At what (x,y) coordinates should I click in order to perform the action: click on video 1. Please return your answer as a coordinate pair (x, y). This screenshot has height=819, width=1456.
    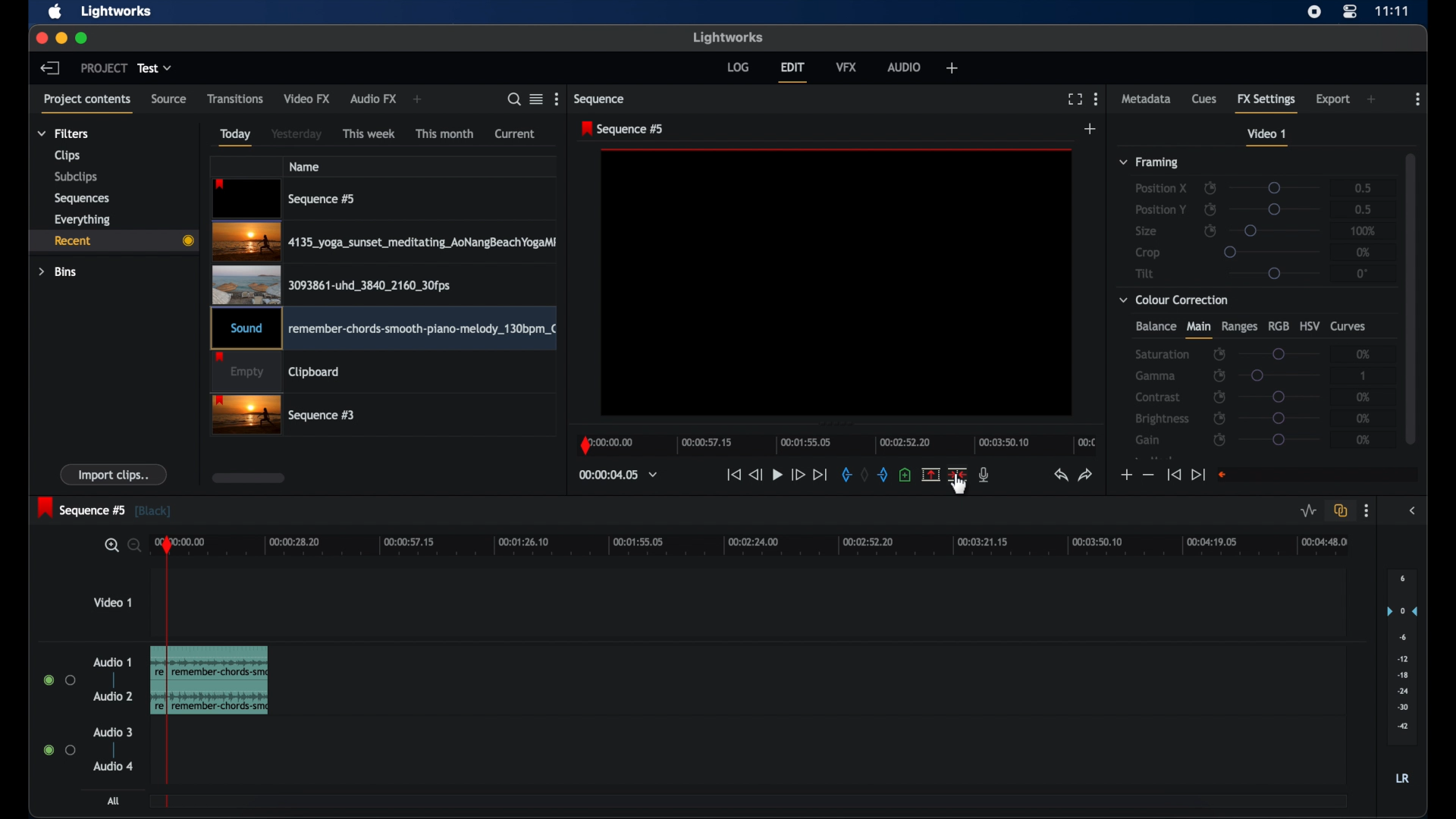
    Looking at the image, I should click on (112, 601).